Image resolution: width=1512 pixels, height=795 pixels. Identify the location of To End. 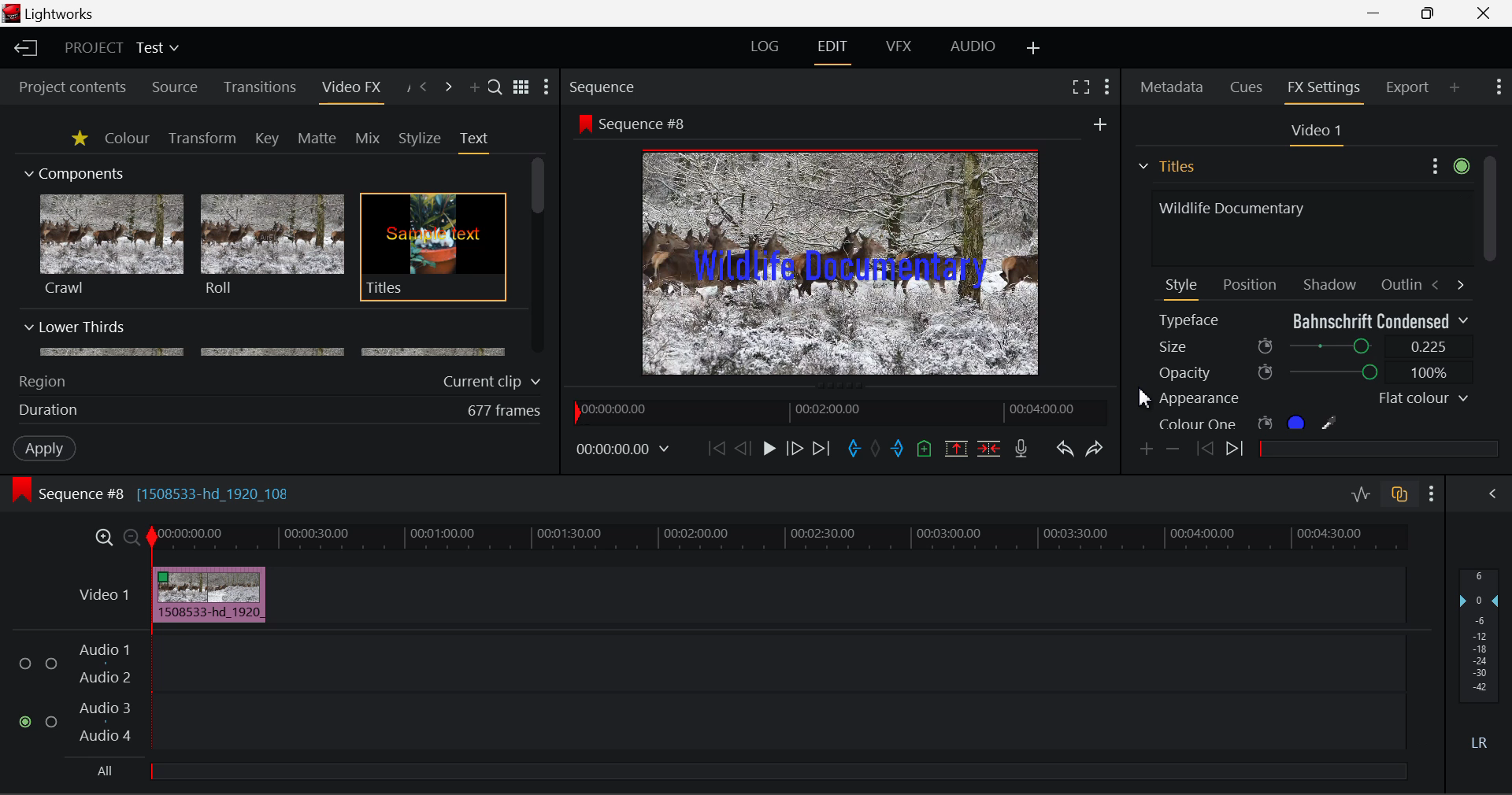
(822, 451).